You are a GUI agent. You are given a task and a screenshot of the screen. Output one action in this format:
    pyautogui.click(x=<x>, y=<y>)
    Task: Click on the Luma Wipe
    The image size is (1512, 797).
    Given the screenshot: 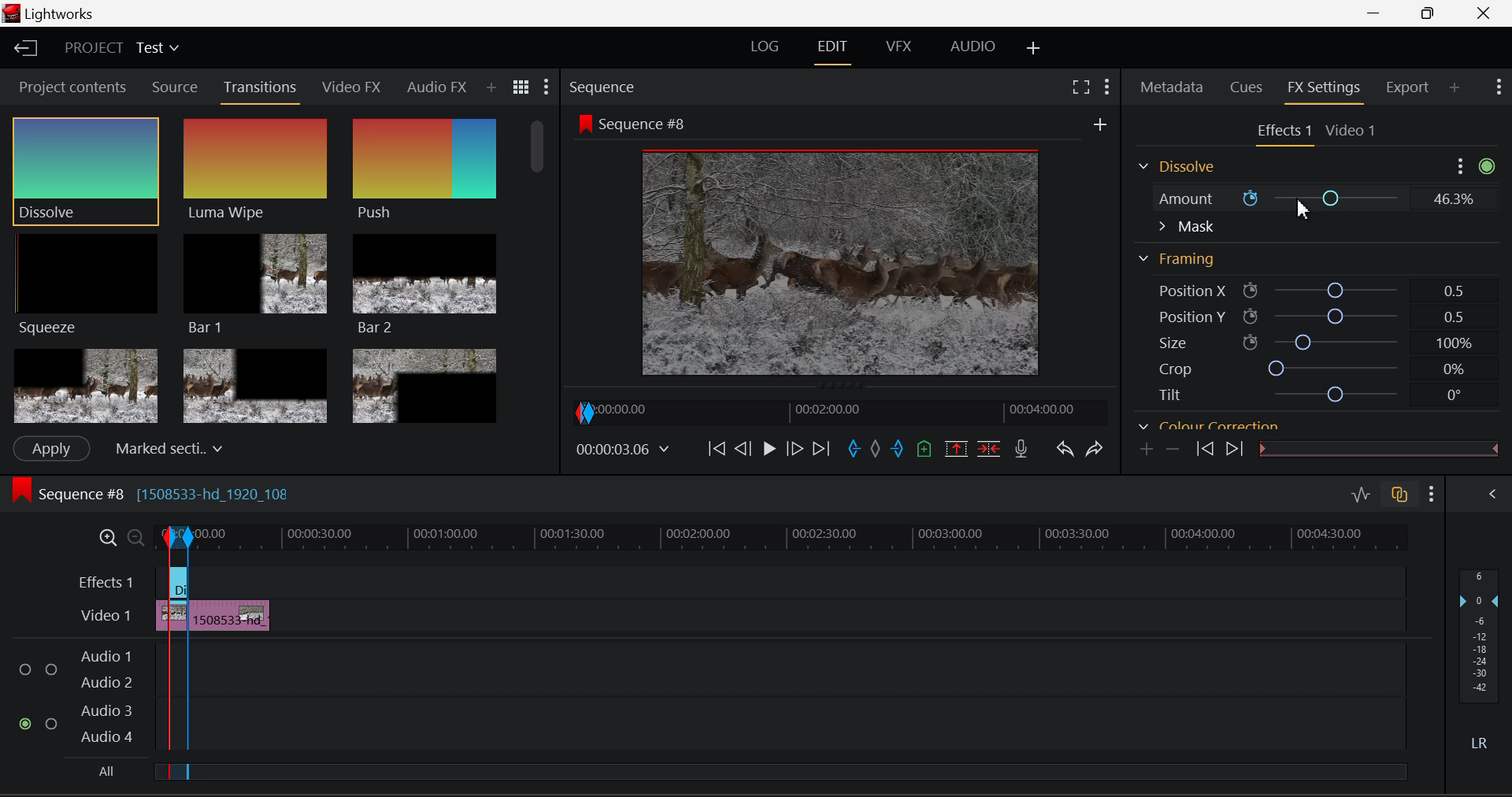 What is the action you would take?
    pyautogui.click(x=256, y=170)
    